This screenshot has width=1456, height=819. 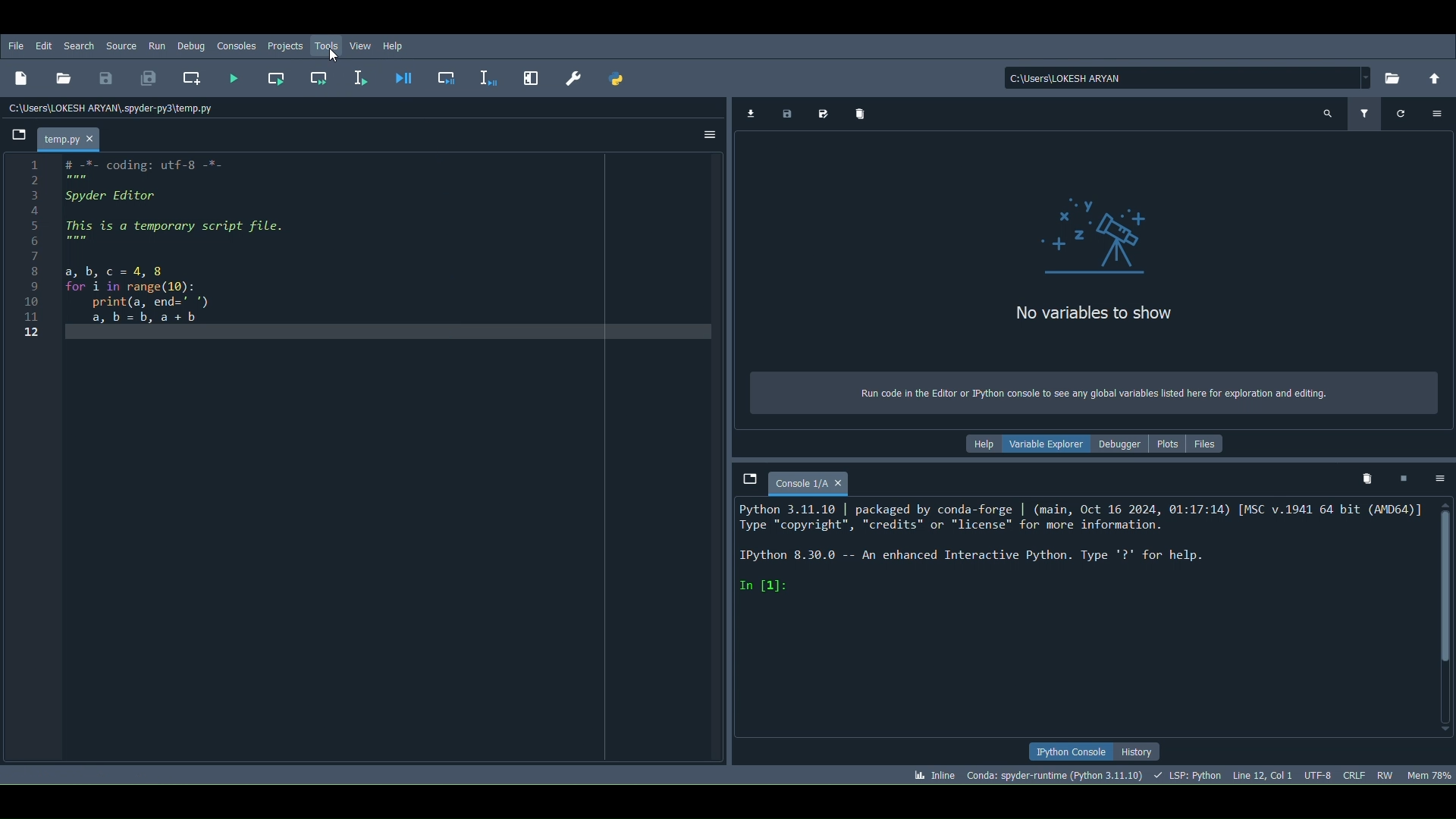 What do you see at coordinates (1260, 773) in the screenshot?
I see `Cursor position` at bounding box center [1260, 773].